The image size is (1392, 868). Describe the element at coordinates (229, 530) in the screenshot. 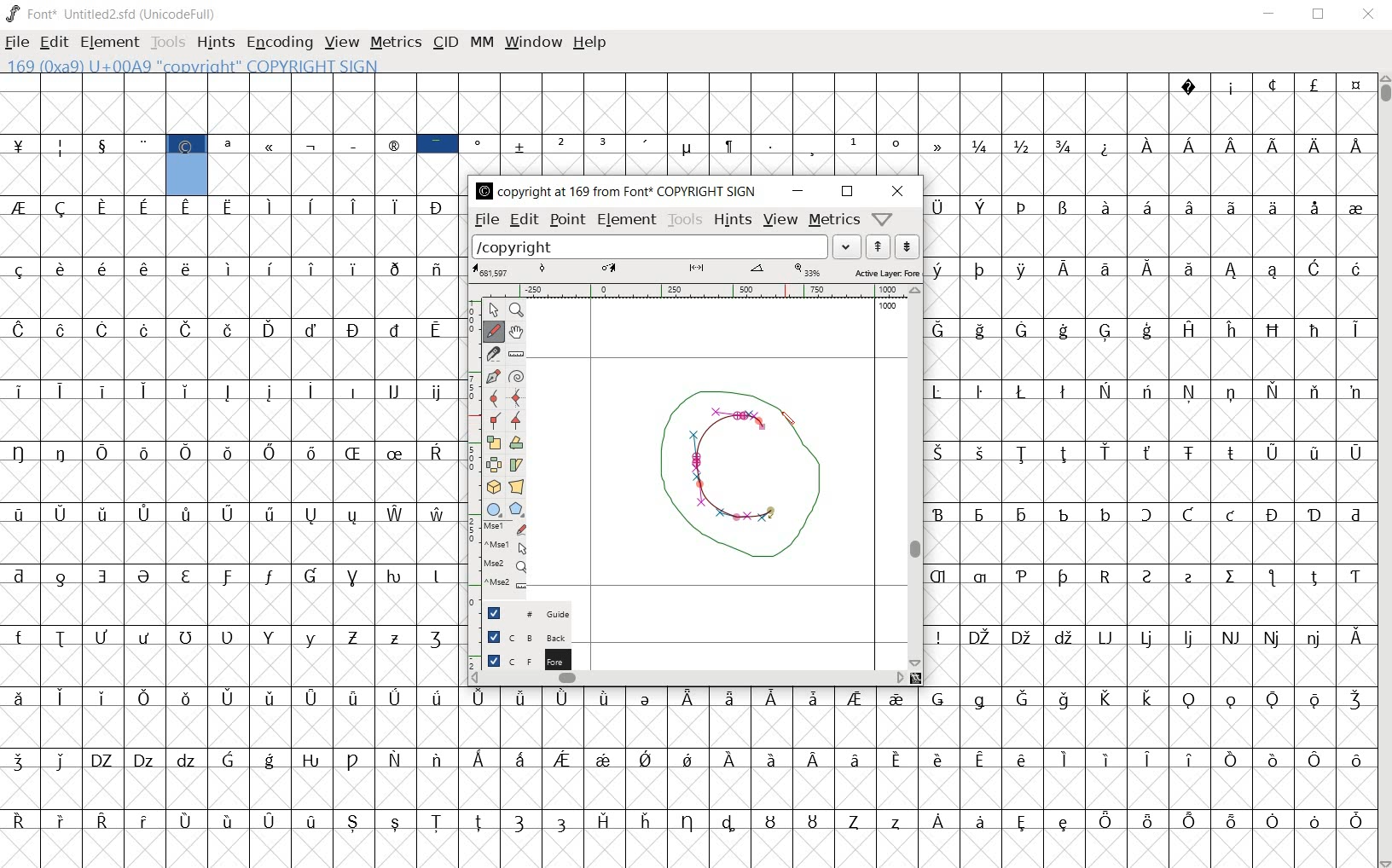

I see `glyphs` at that location.